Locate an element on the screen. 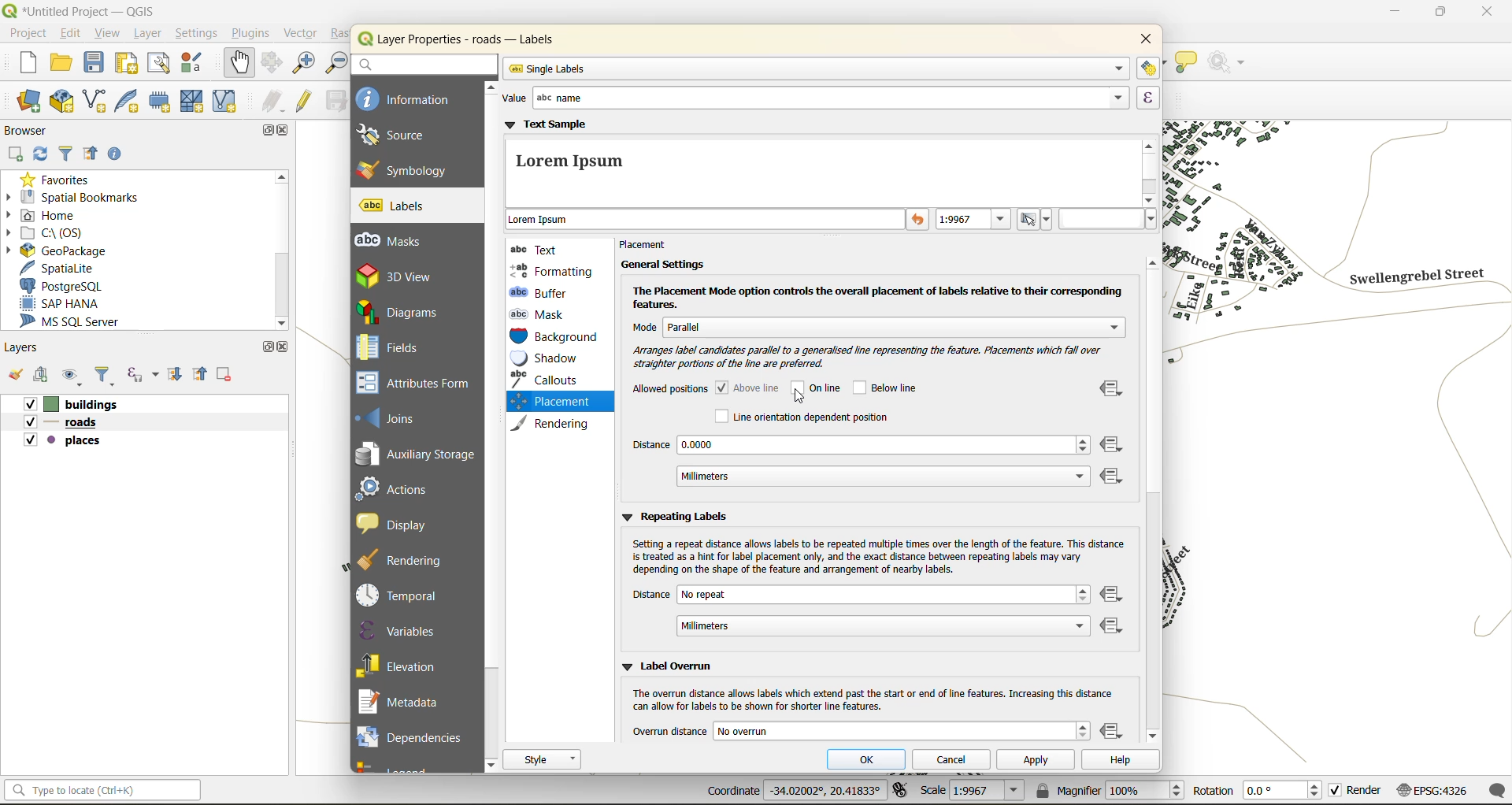 The width and height of the screenshot is (1512, 805). search is located at coordinates (423, 64).